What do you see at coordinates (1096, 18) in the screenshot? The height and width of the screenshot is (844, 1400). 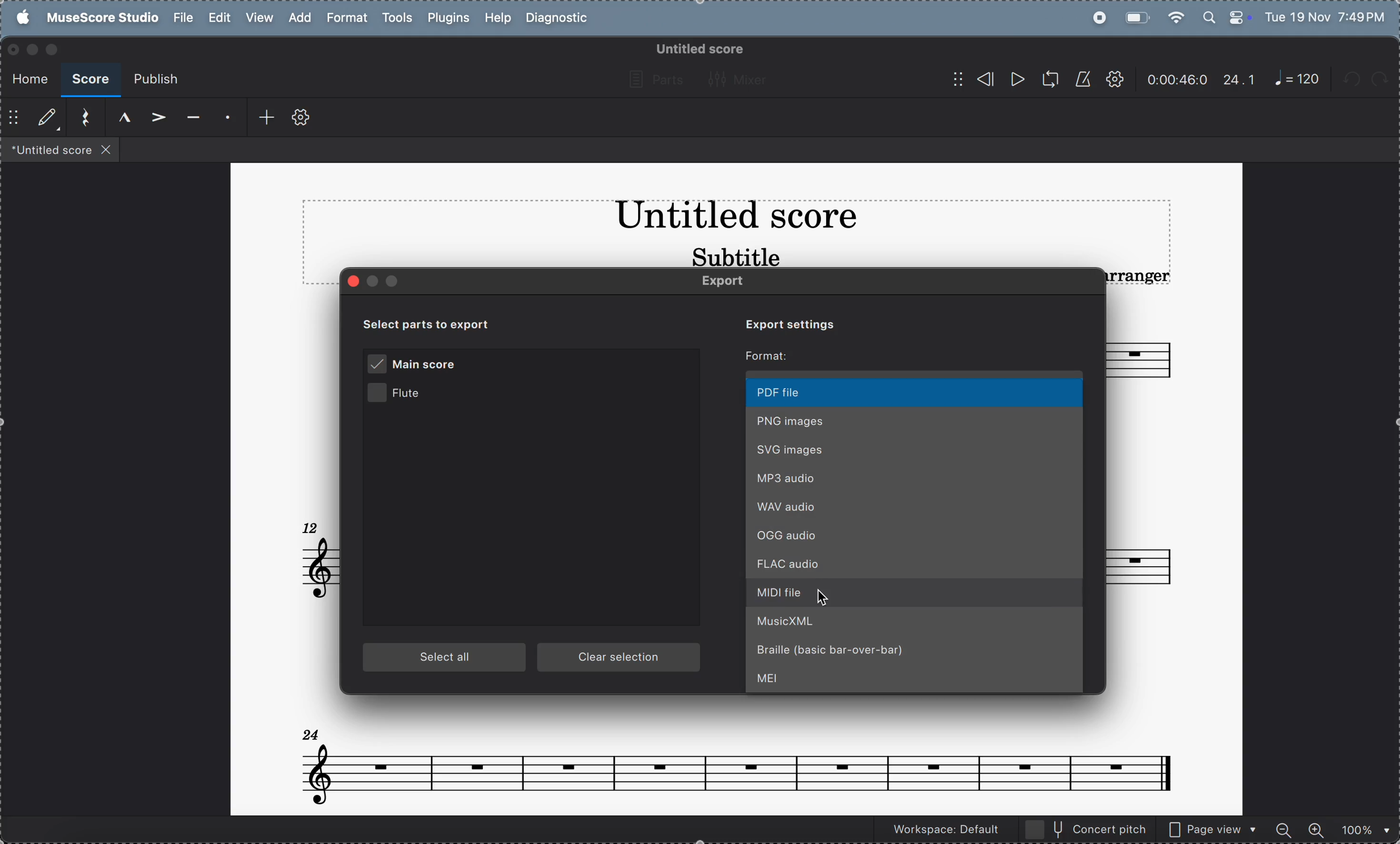 I see `record` at bounding box center [1096, 18].